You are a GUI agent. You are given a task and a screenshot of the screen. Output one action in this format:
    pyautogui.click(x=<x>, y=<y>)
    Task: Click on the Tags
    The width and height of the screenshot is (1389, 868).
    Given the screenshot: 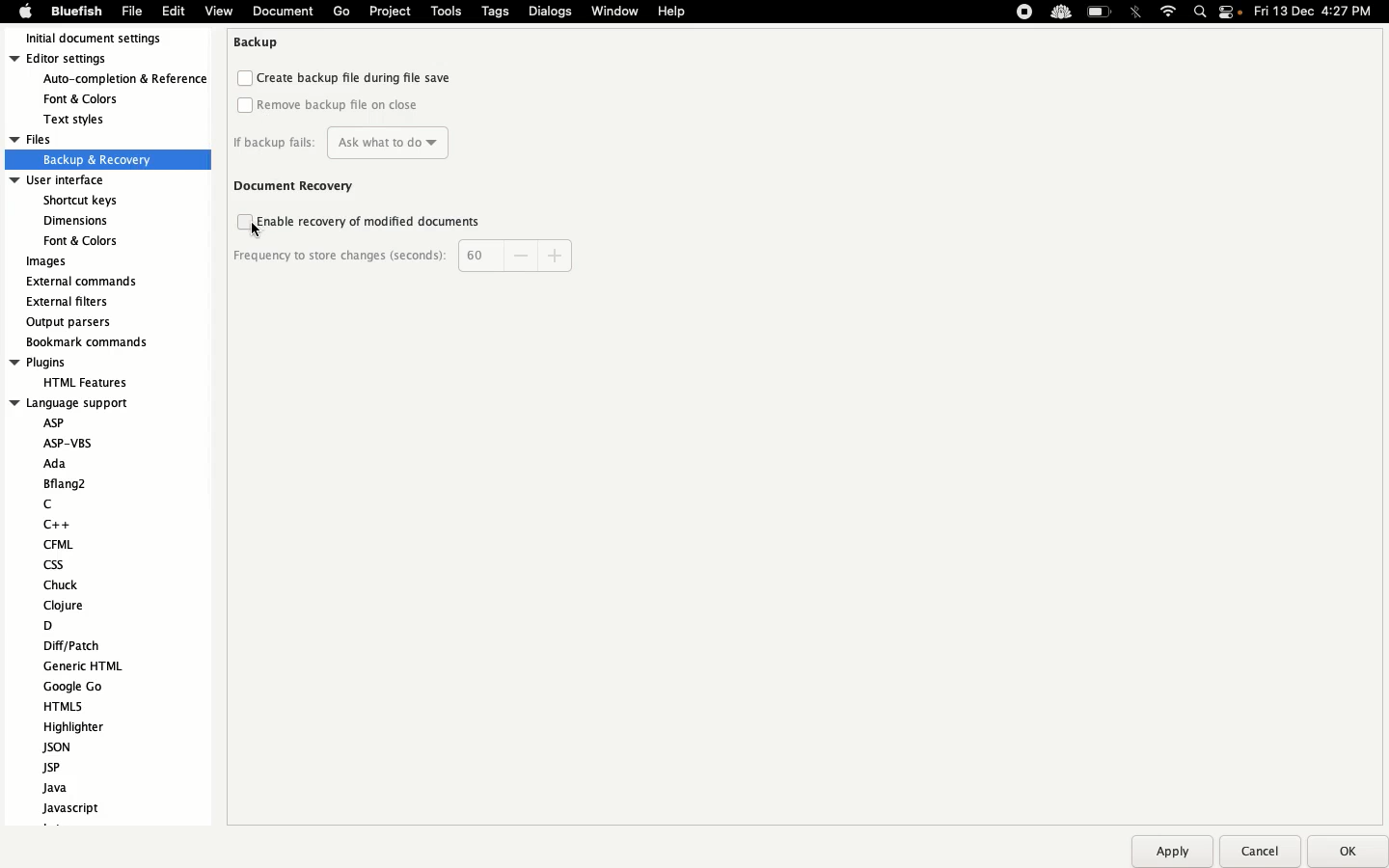 What is the action you would take?
    pyautogui.click(x=497, y=12)
    